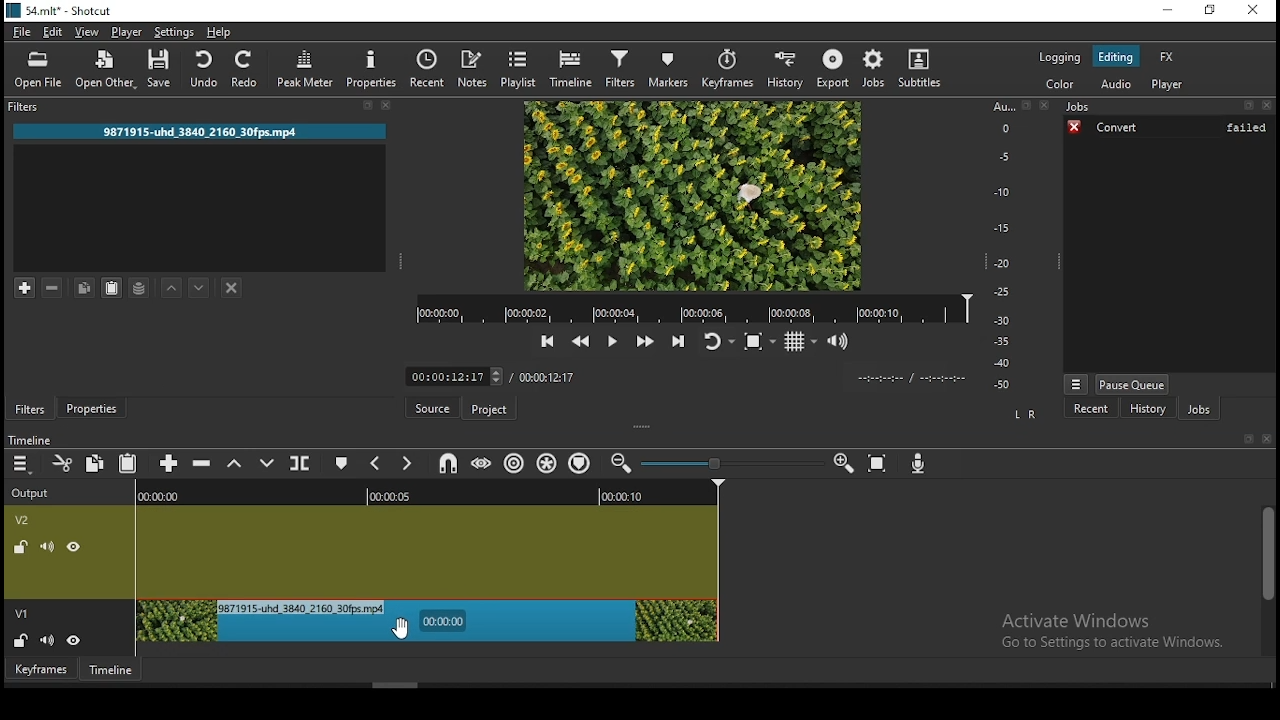 Image resolution: width=1280 pixels, height=720 pixels. What do you see at coordinates (874, 67) in the screenshot?
I see `jobs` at bounding box center [874, 67].